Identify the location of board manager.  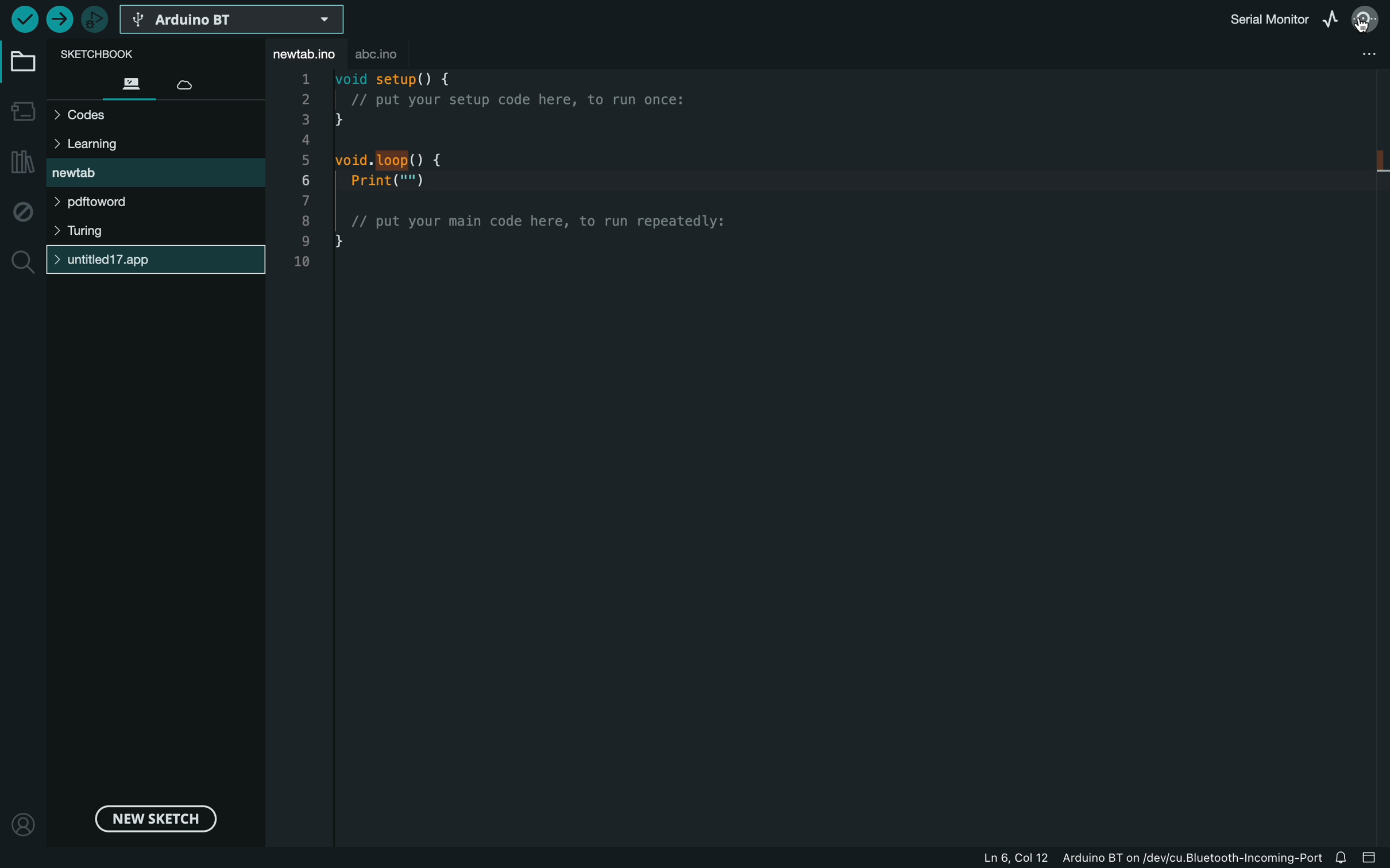
(20, 114).